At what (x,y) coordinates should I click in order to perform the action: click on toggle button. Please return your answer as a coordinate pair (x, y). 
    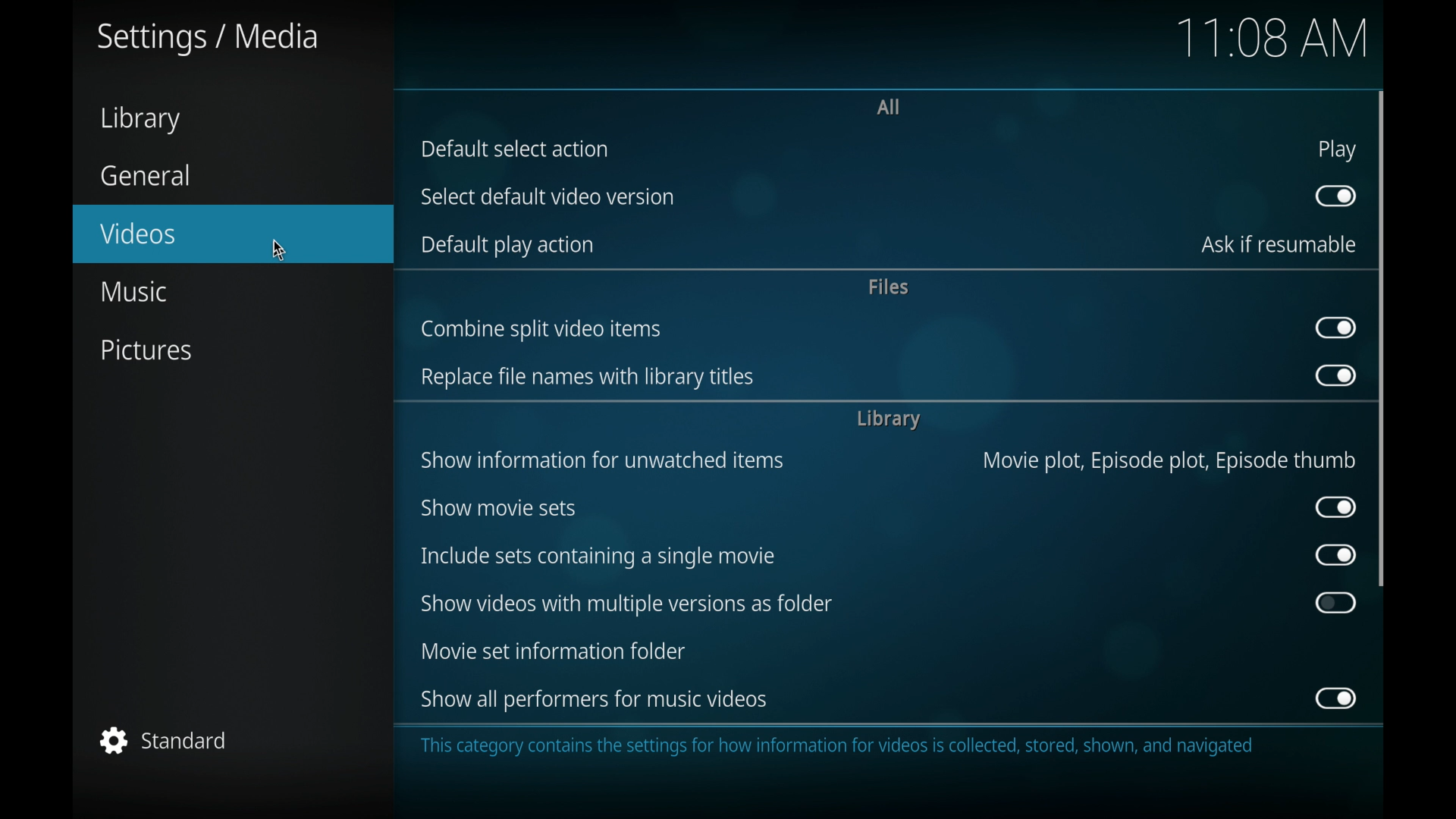
    Looking at the image, I should click on (1336, 328).